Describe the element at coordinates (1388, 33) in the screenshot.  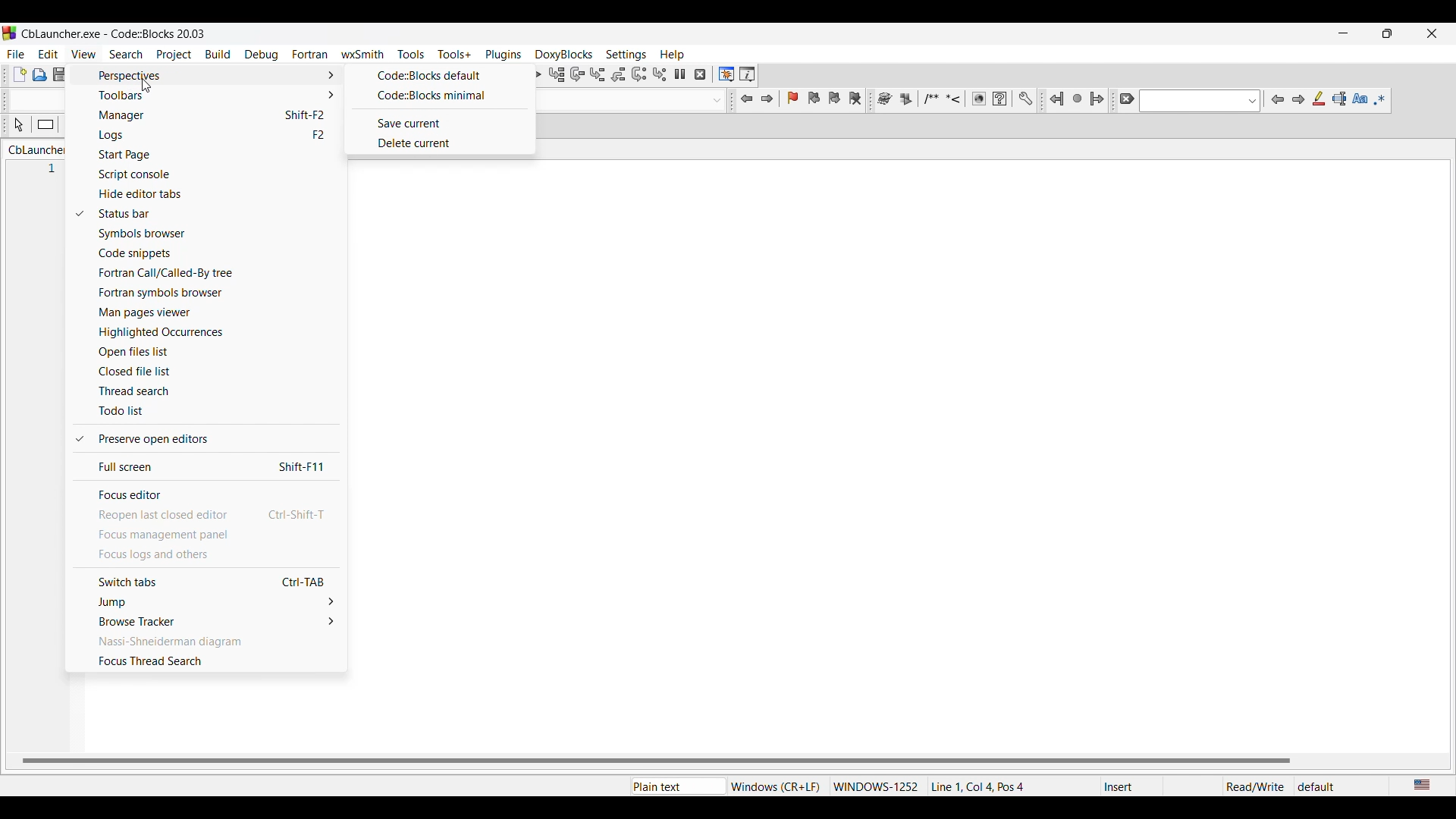
I see `Show interface in a smaller tab` at that location.